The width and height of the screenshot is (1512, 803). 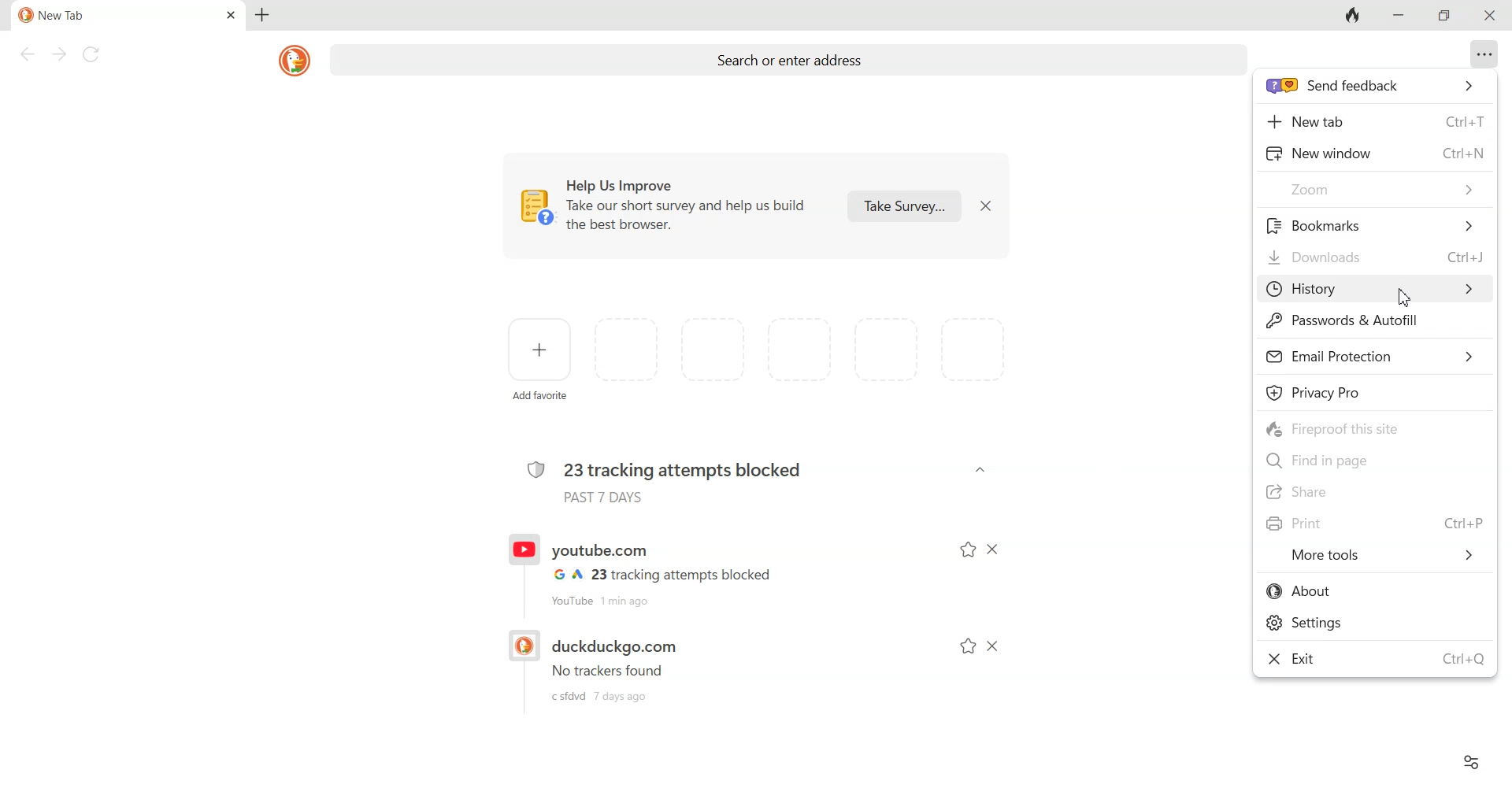 I want to click on Zoom, so click(x=1375, y=189).